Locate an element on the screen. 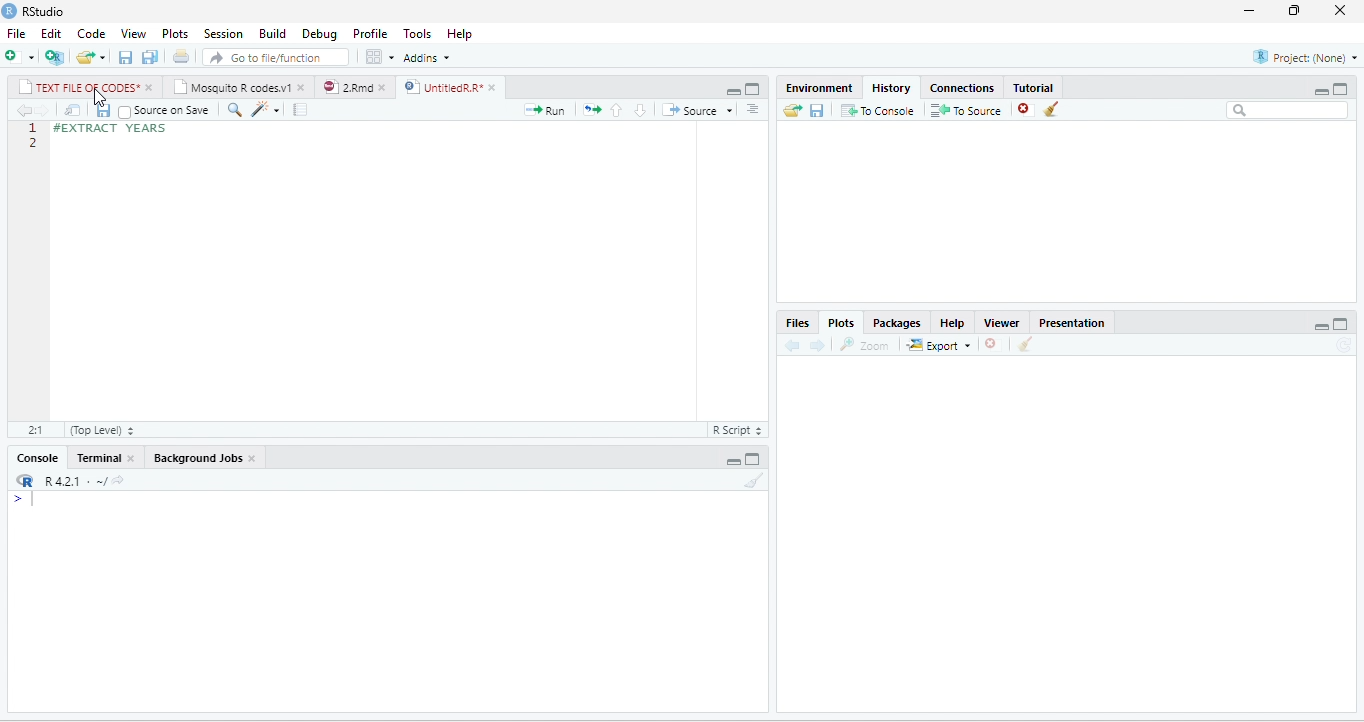 Image resolution: width=1364 pixels, height=722 pixels. clear is located at coordinates (1025, 343).